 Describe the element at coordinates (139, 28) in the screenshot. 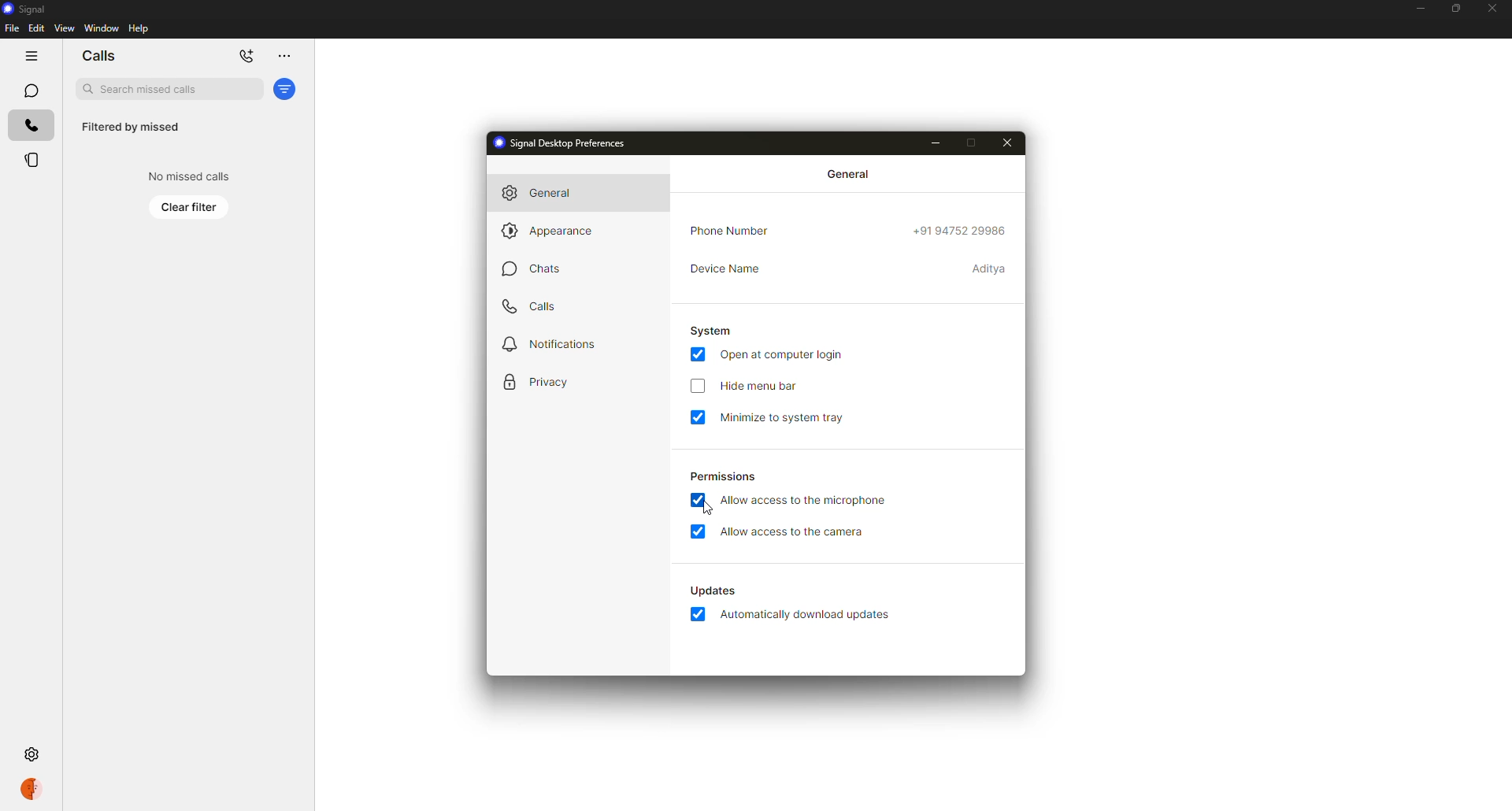

I see `help` at that location.